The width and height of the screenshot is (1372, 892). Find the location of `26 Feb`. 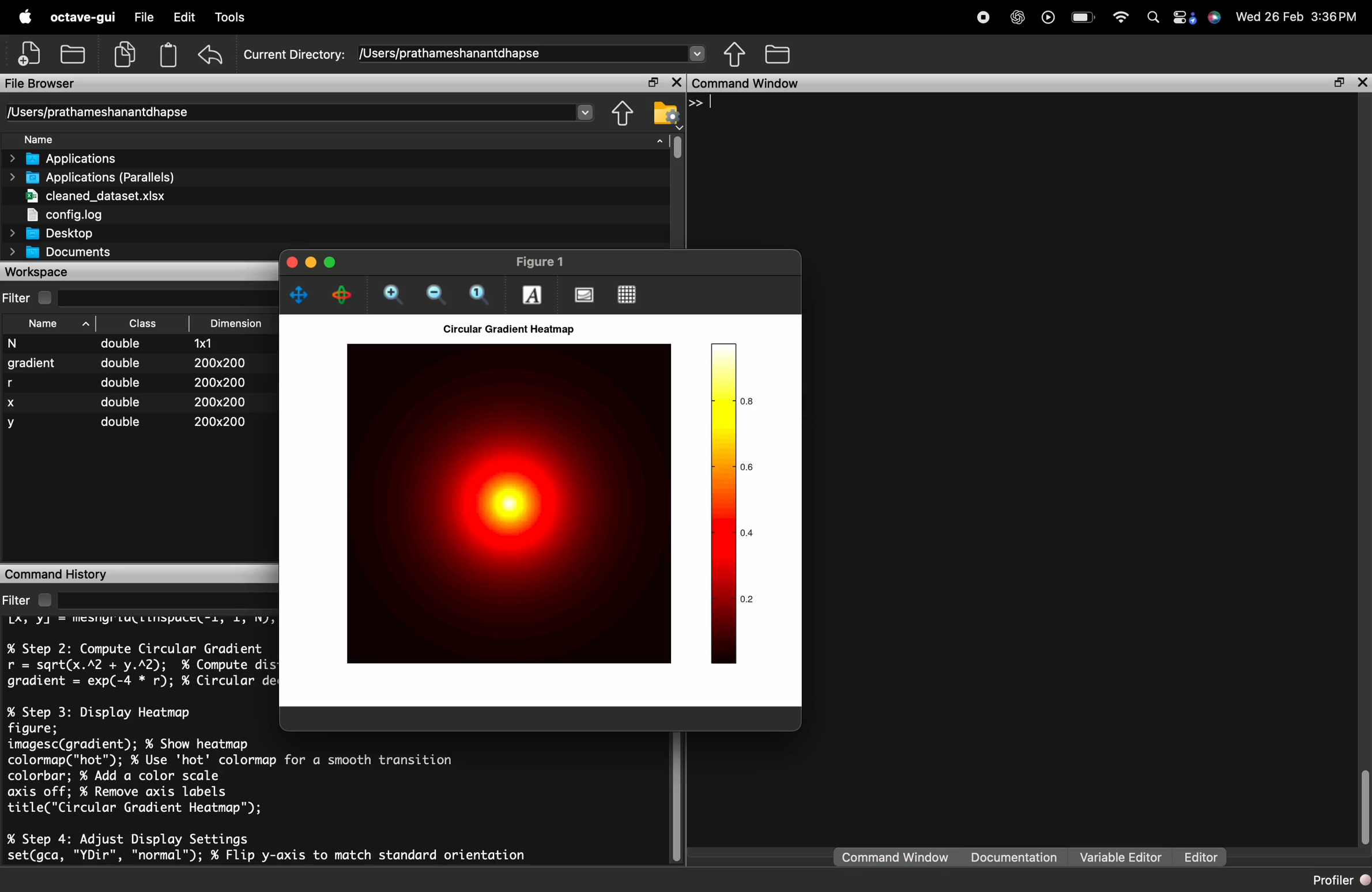

26 Feb is located at coordinates (1283, 17).